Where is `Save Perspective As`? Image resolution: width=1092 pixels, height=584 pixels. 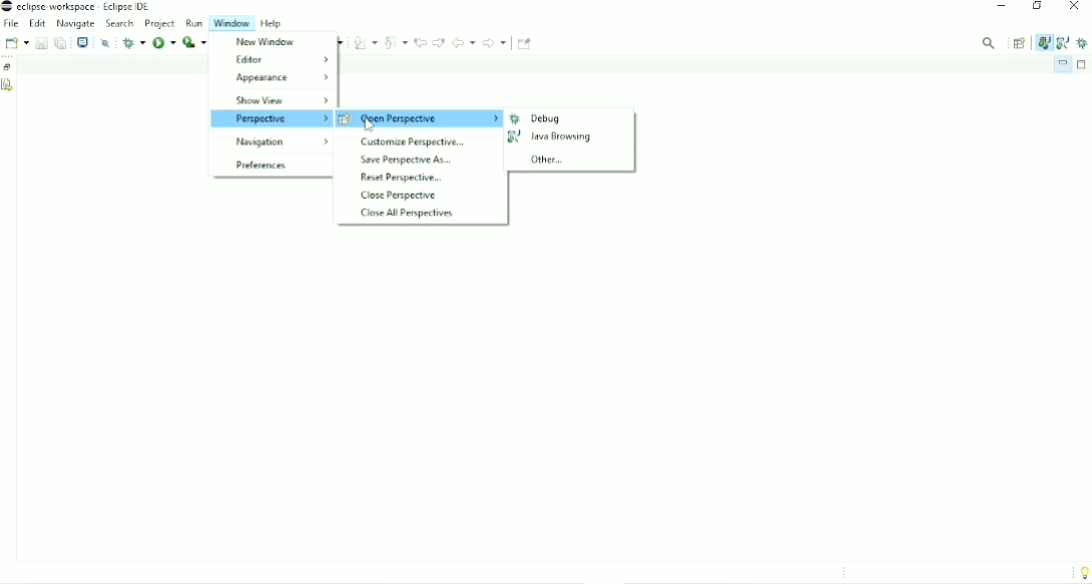
Save Perspective As is located at coordinates (406, 160).